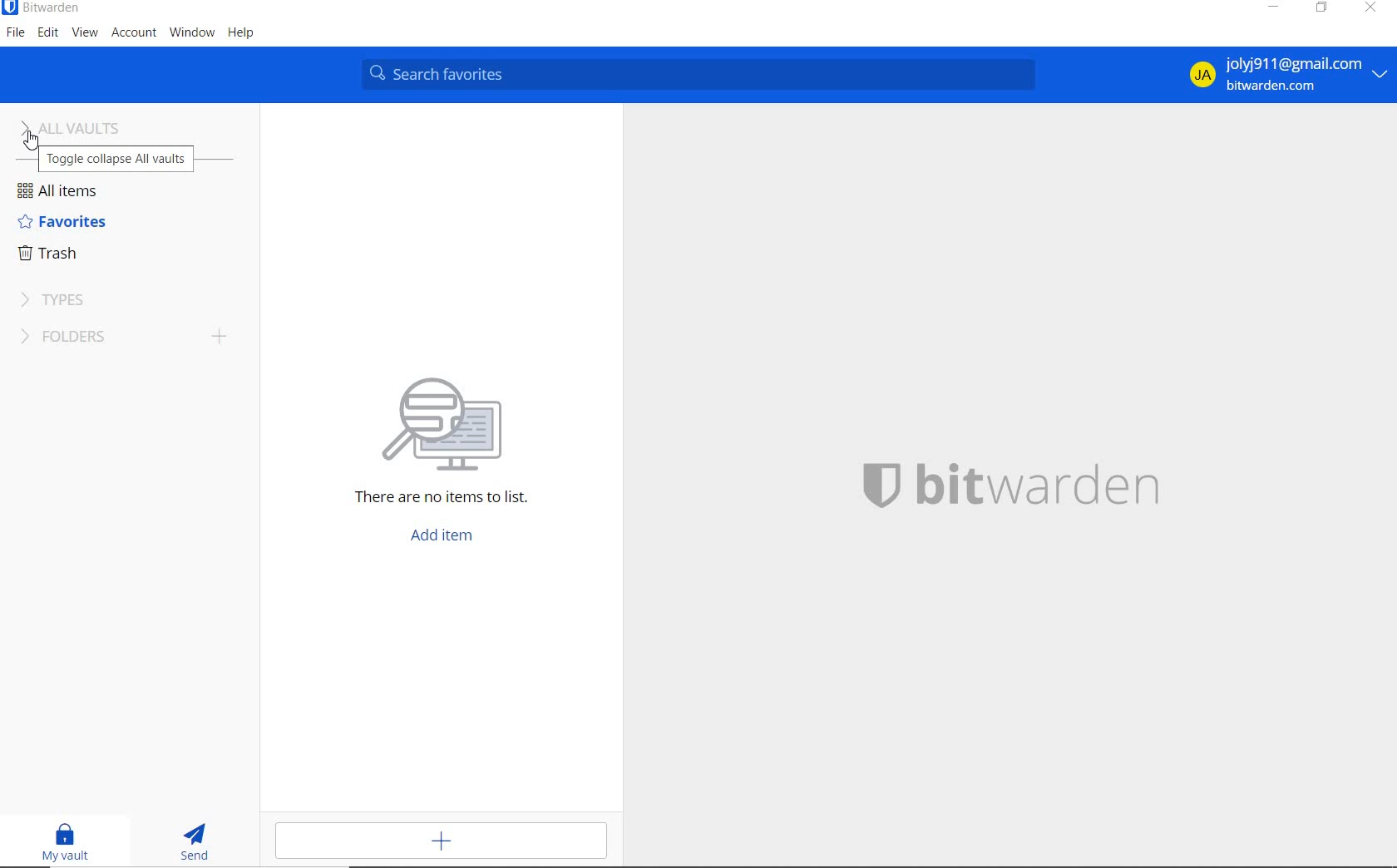  What do you see at coordinates (463, 417) in the screenshot?
I see `Searching for file image` at bounding box center [463, 417].